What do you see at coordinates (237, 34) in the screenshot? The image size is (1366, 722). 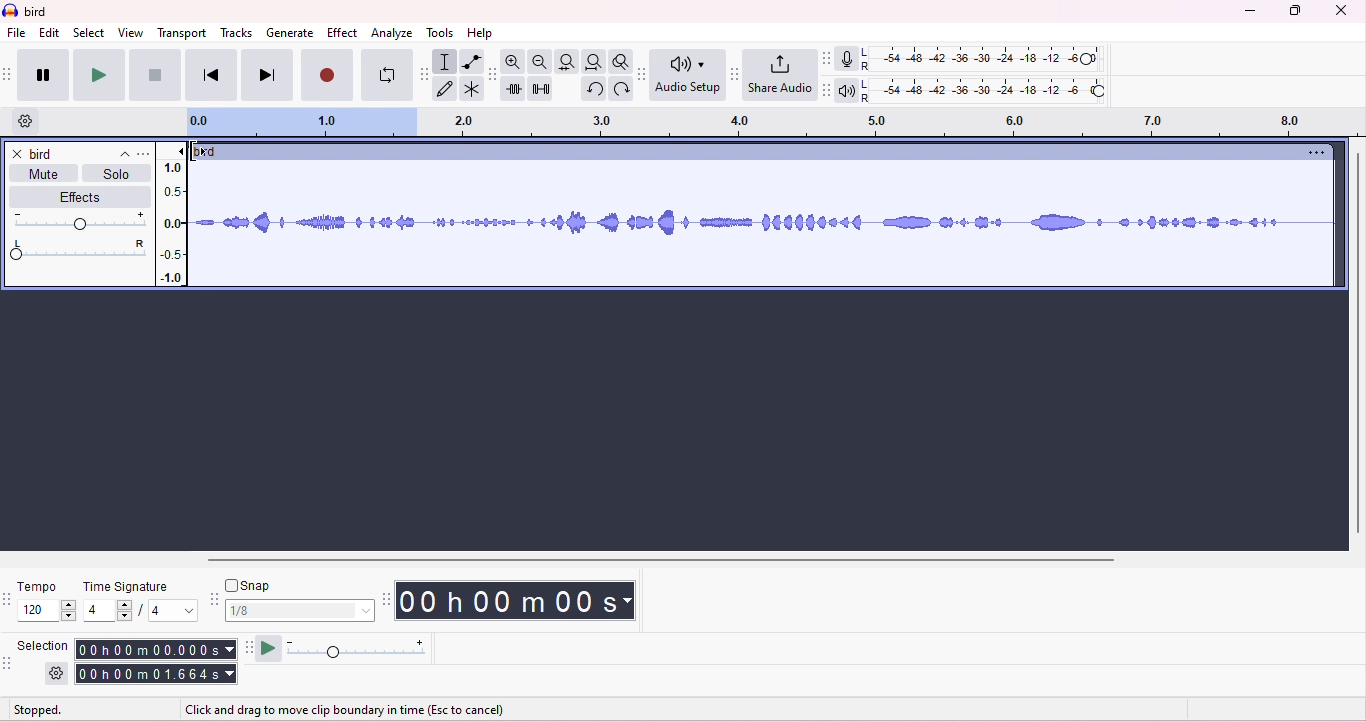 I see `tracks` at bounding box center [237, 34].